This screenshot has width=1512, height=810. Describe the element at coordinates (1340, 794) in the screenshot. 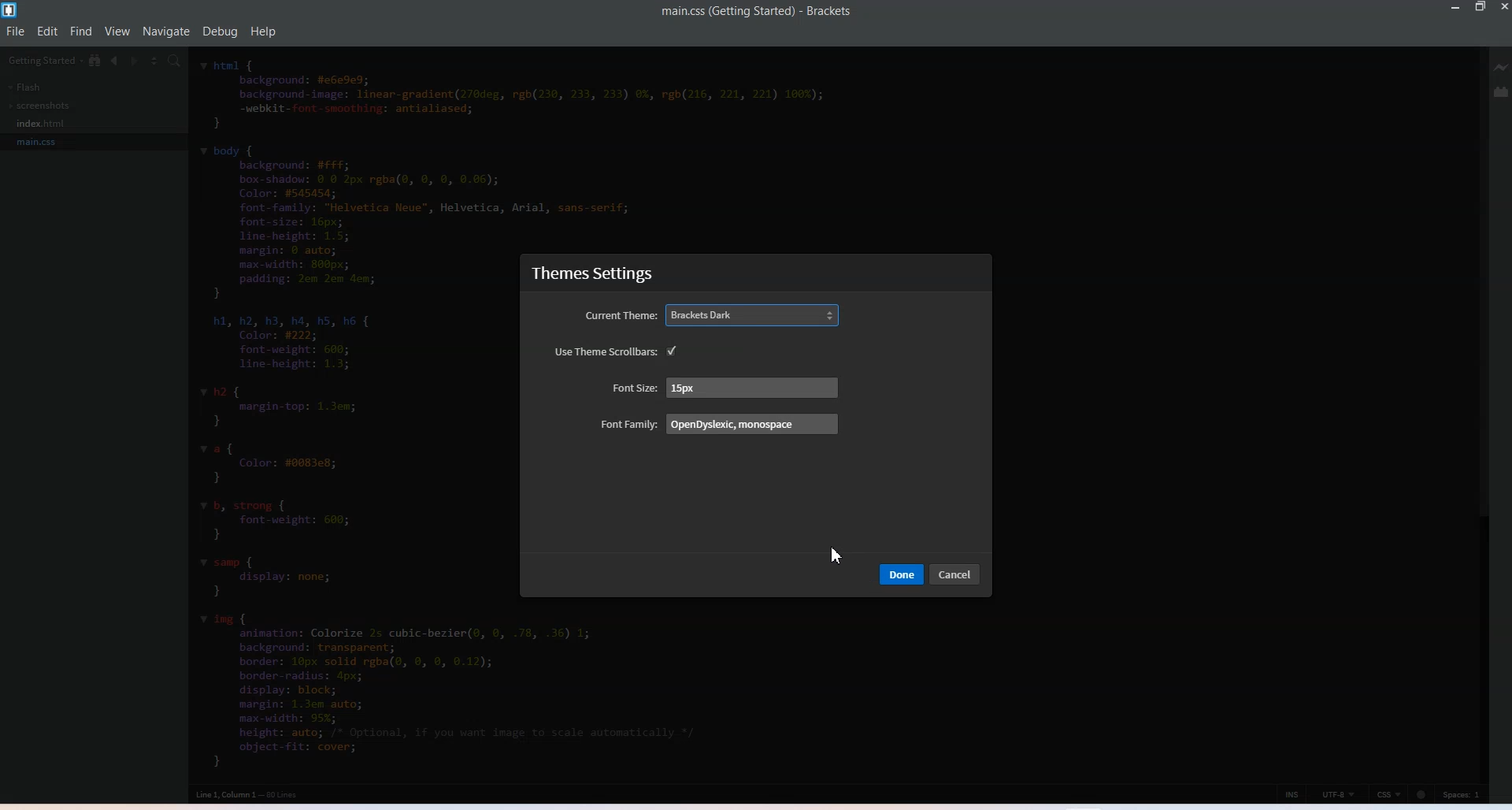

I see `UTF-8` at that location.